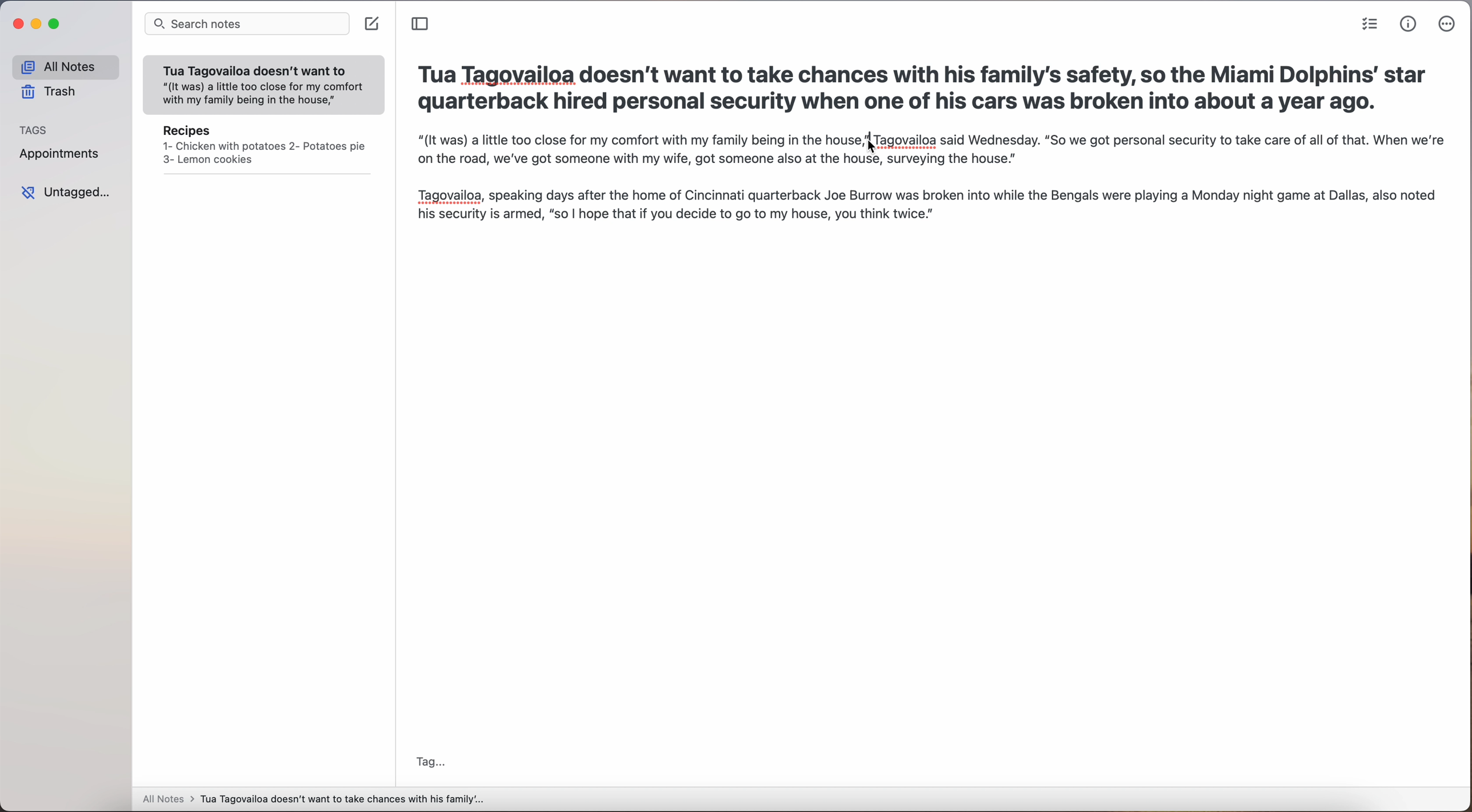  I want to click on search notes, so click(246, 25).